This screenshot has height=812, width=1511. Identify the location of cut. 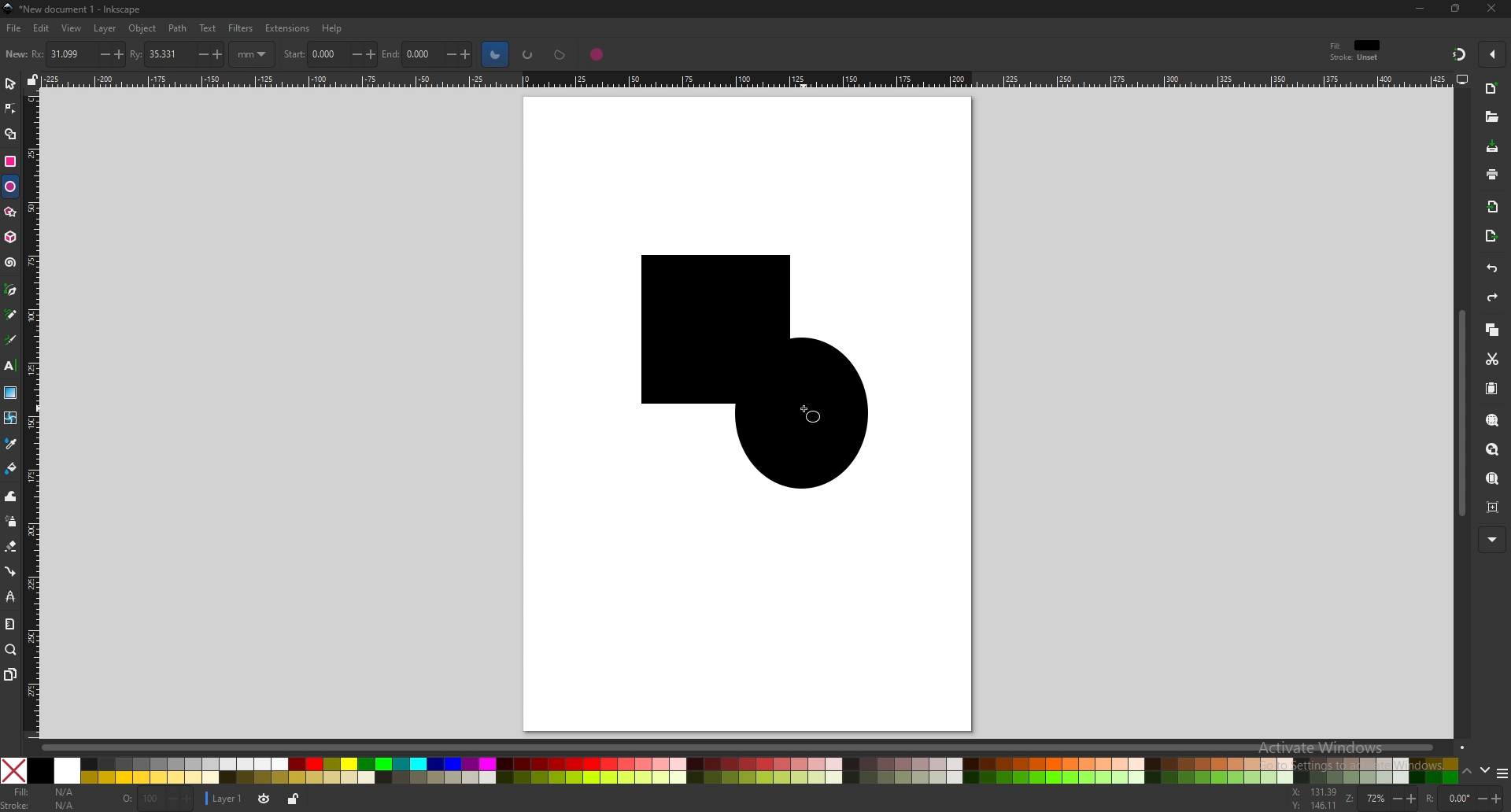
(1491, 357).